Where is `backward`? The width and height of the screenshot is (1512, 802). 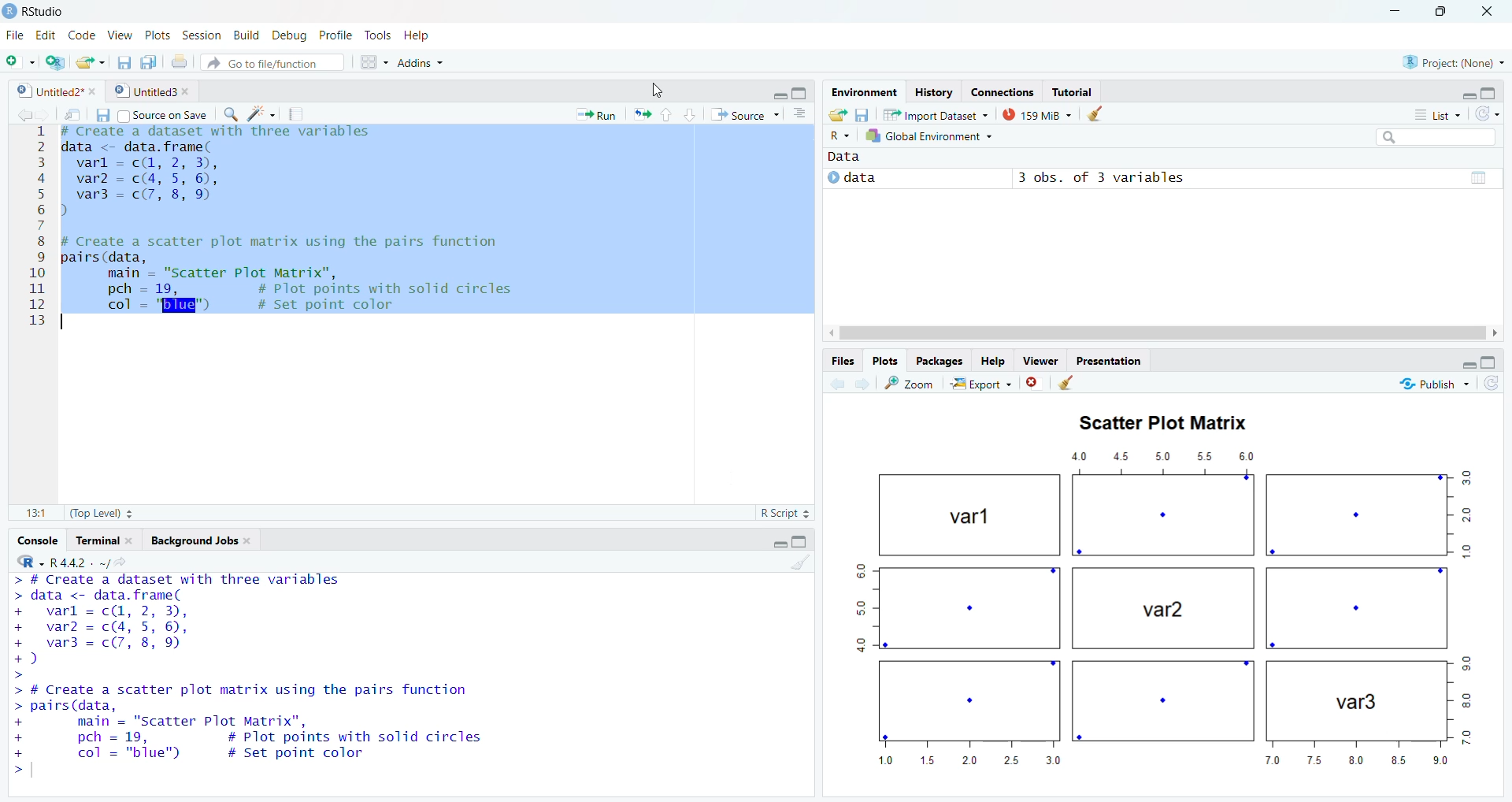
backward is located at coordinates (829, 383).